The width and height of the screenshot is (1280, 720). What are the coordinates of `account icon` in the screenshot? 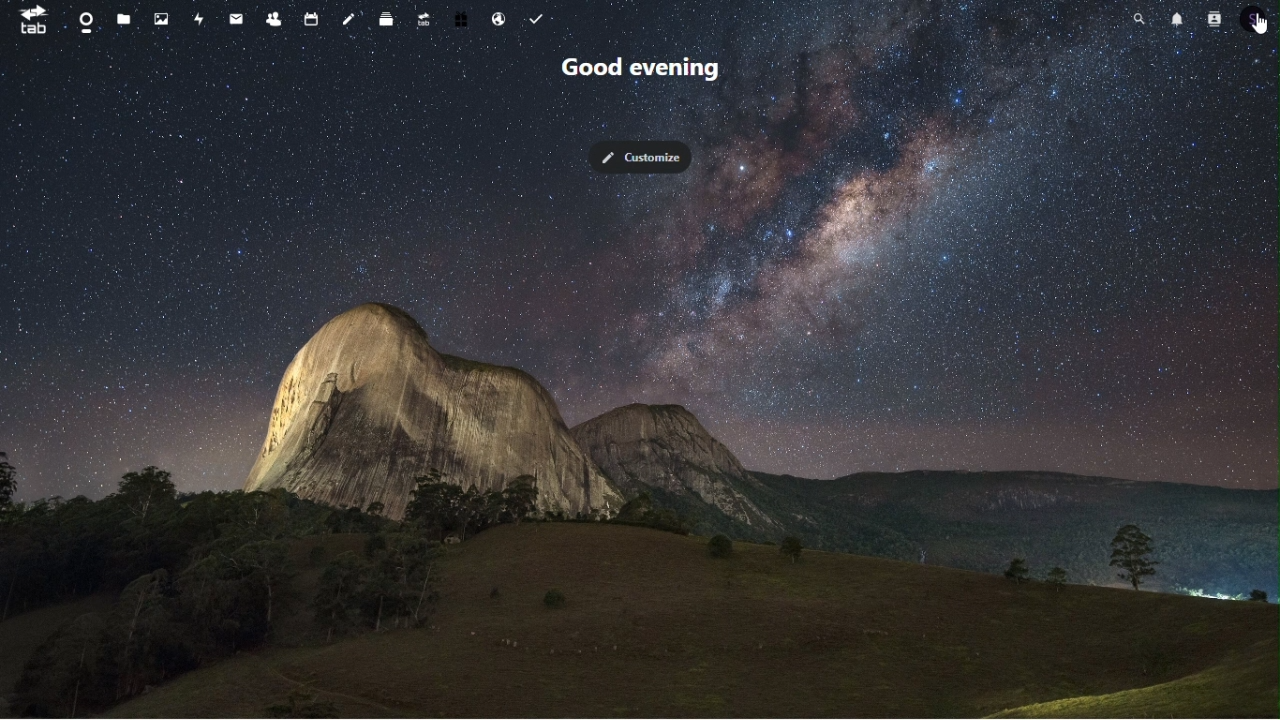 It's located at (1254, 17).